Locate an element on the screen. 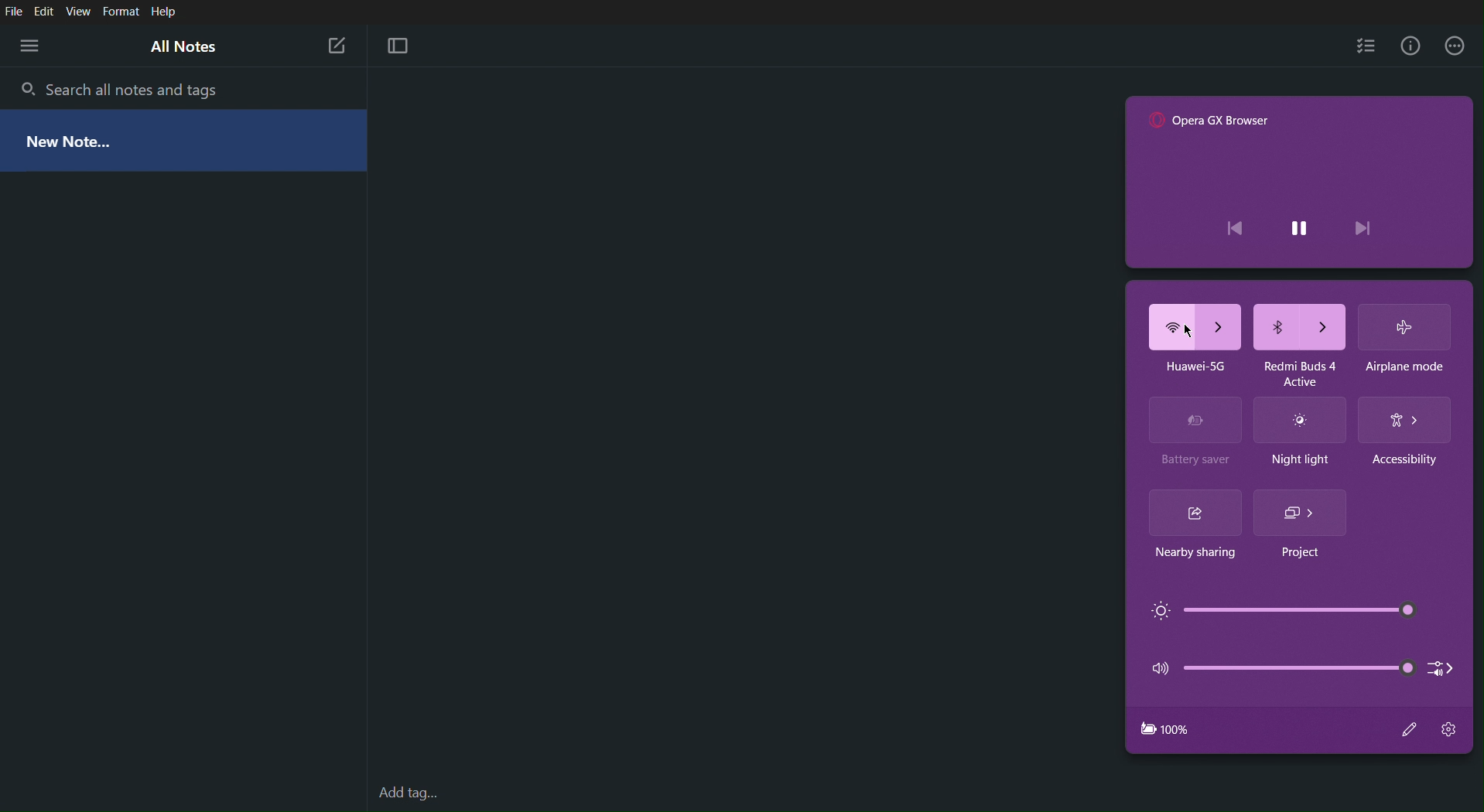  Nearby sharing is located at coordinates (1186, 557).